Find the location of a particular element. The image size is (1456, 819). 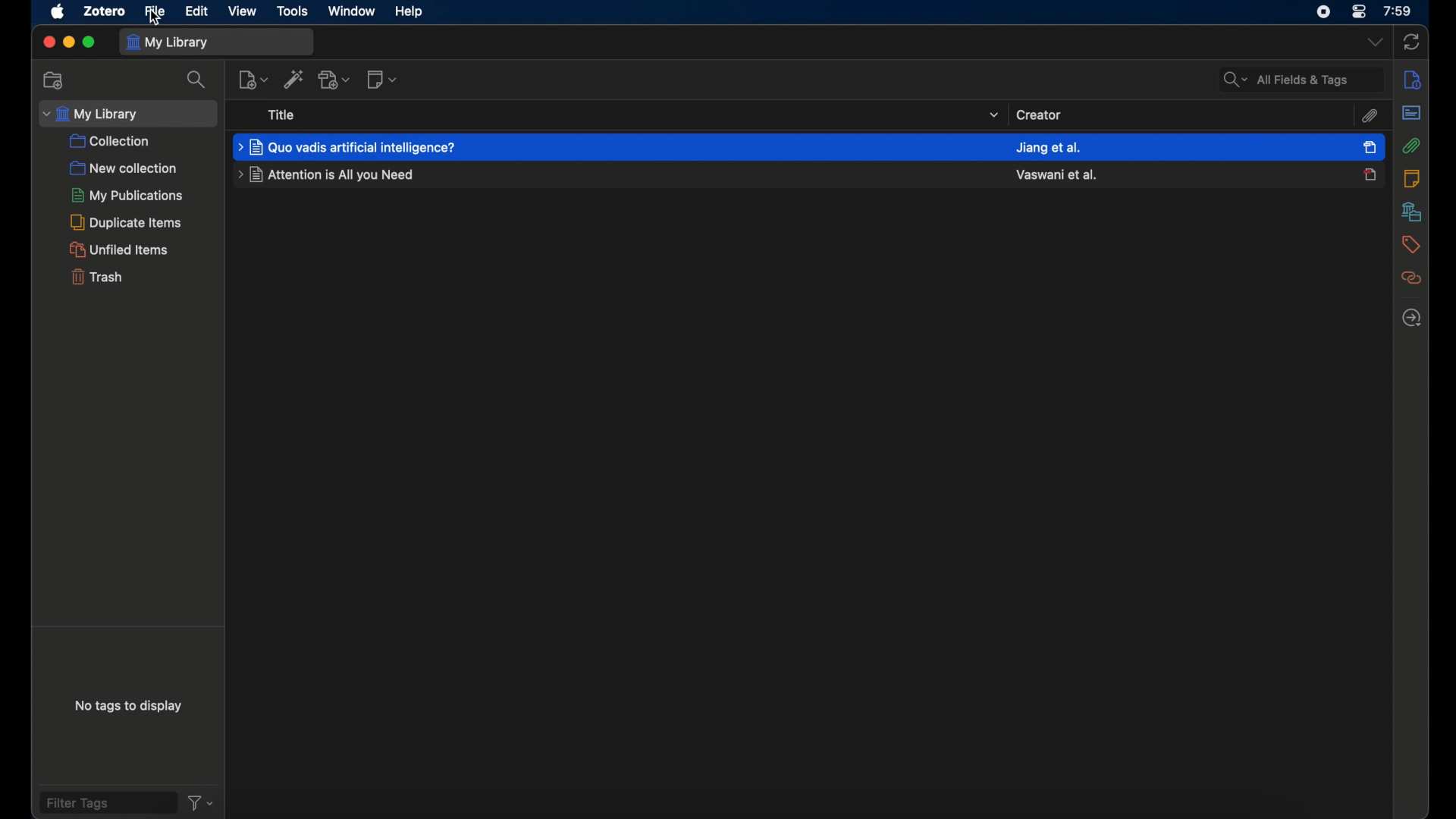

attachments is located at coordinates (1369, 117).